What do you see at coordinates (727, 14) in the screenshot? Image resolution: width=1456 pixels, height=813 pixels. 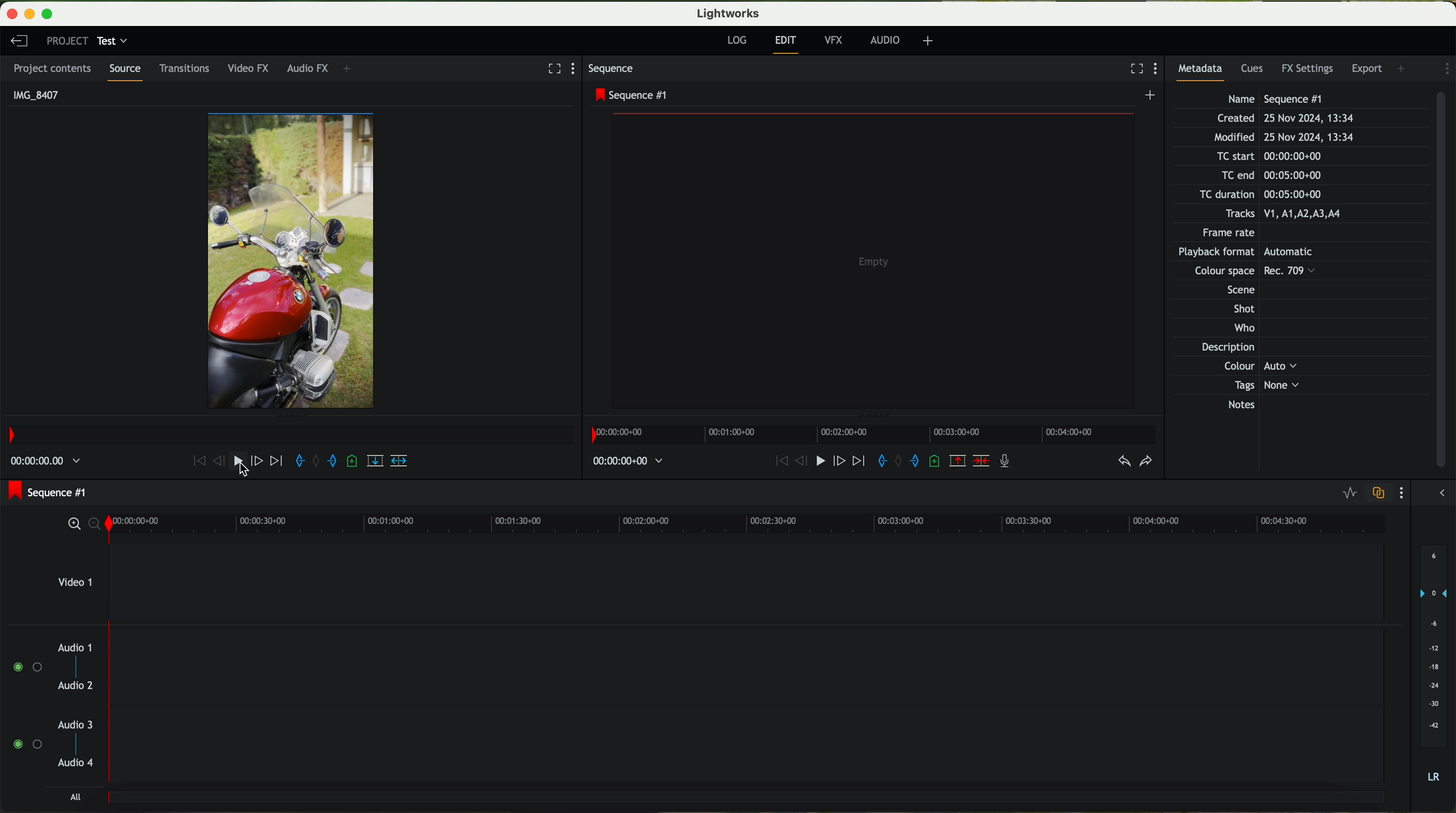 I see `Lightworks` at bounding box center [727, 14].